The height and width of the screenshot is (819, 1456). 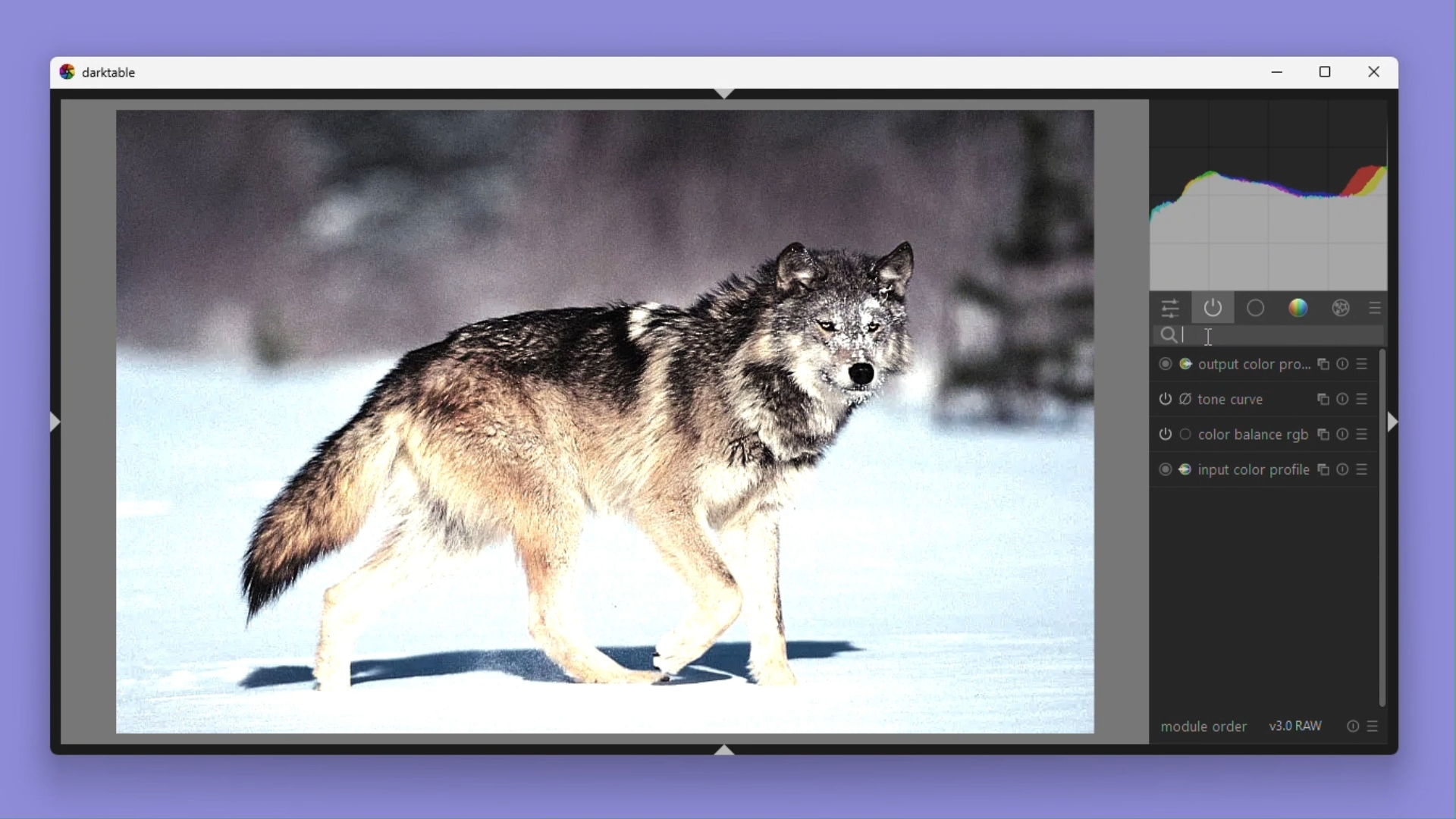 I want to click on Maximize, so click(x=1329, y=71).